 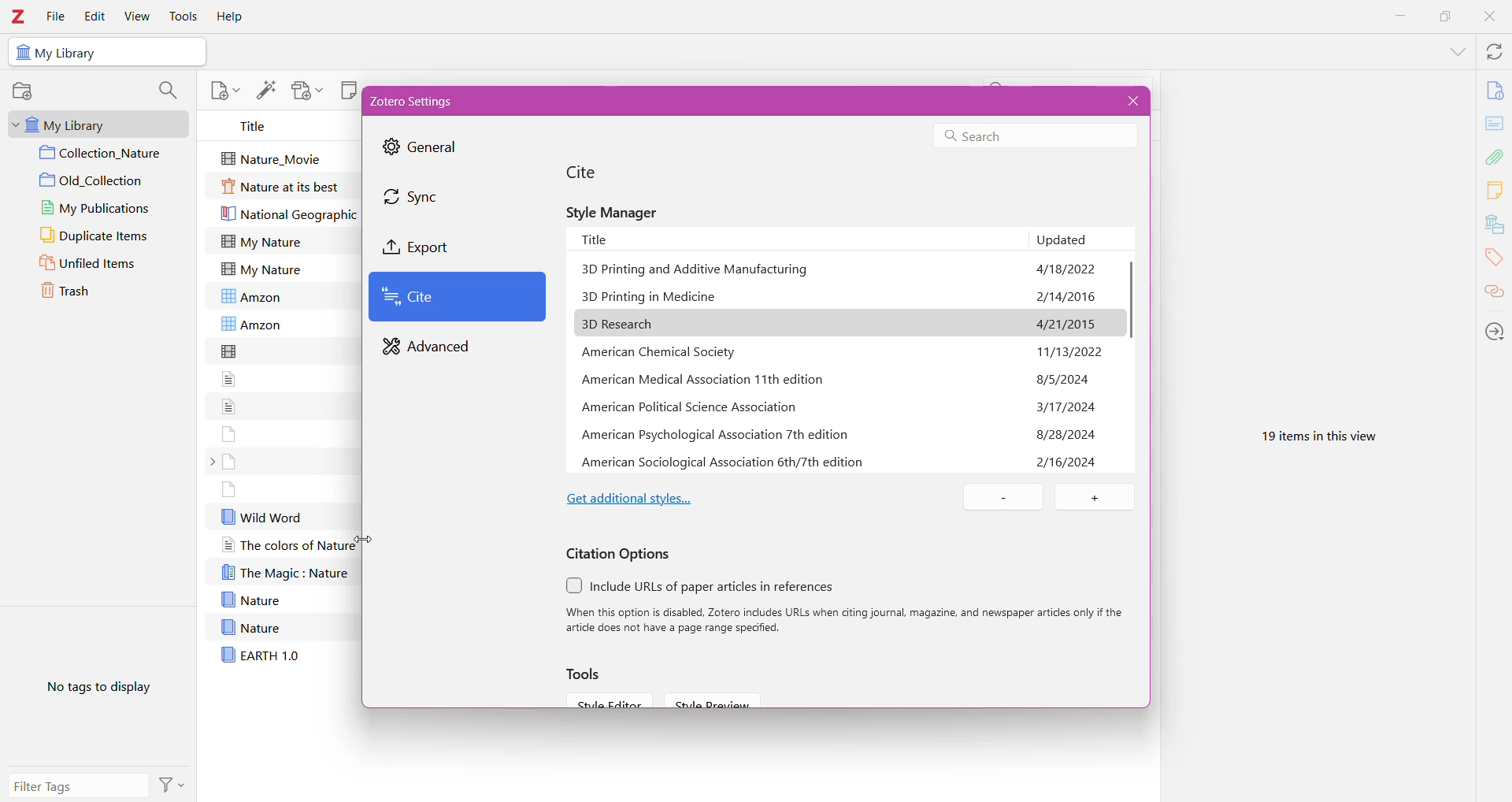 What do you see at coordinates (105, 154) in the screenshot?
I see `Collection 1` at bounding box center [105, 154].